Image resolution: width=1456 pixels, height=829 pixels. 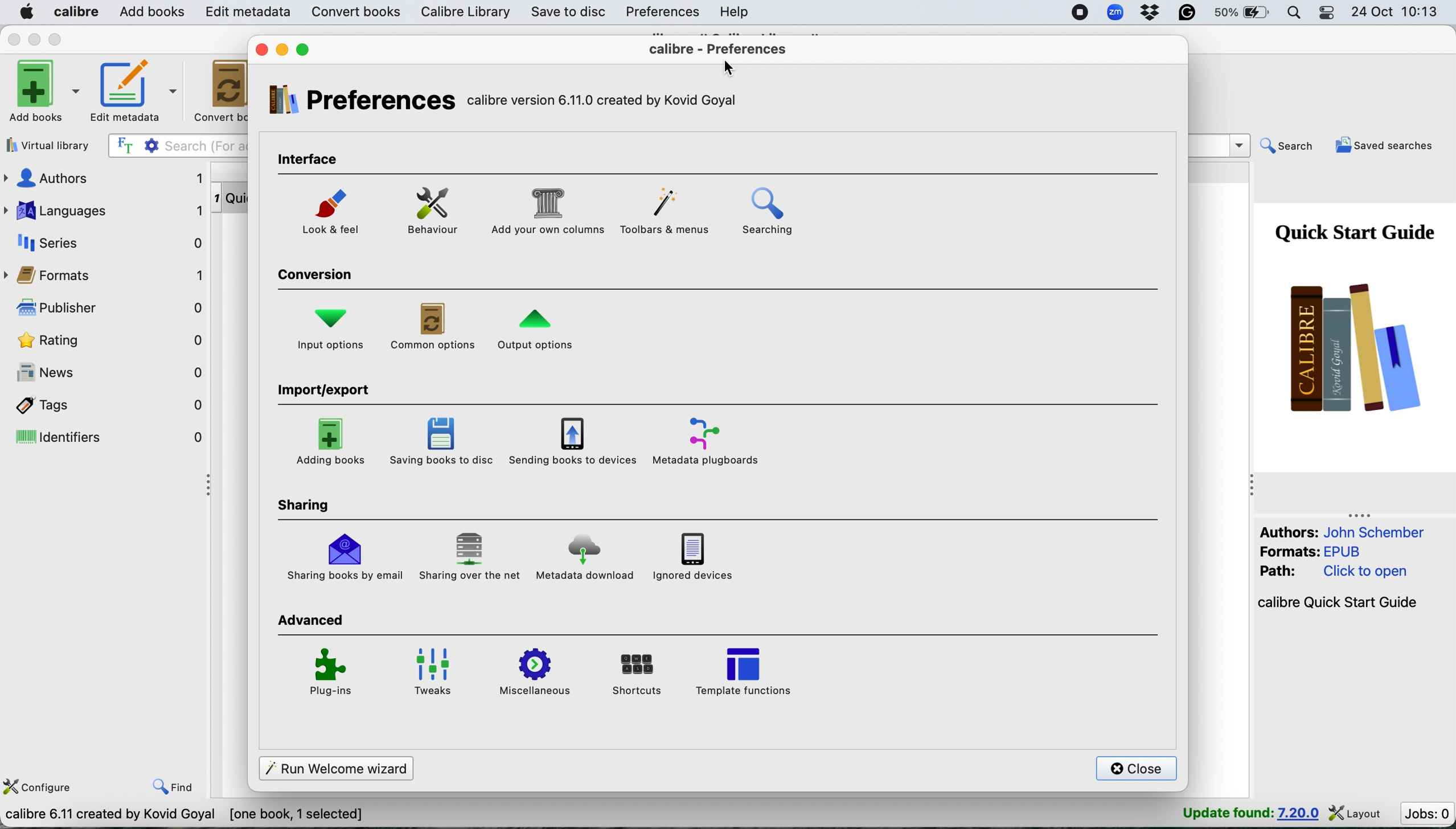 What do you see at coordinates (110, 372) in the screenshot?
I see `news` at bounding box center [110, 372].